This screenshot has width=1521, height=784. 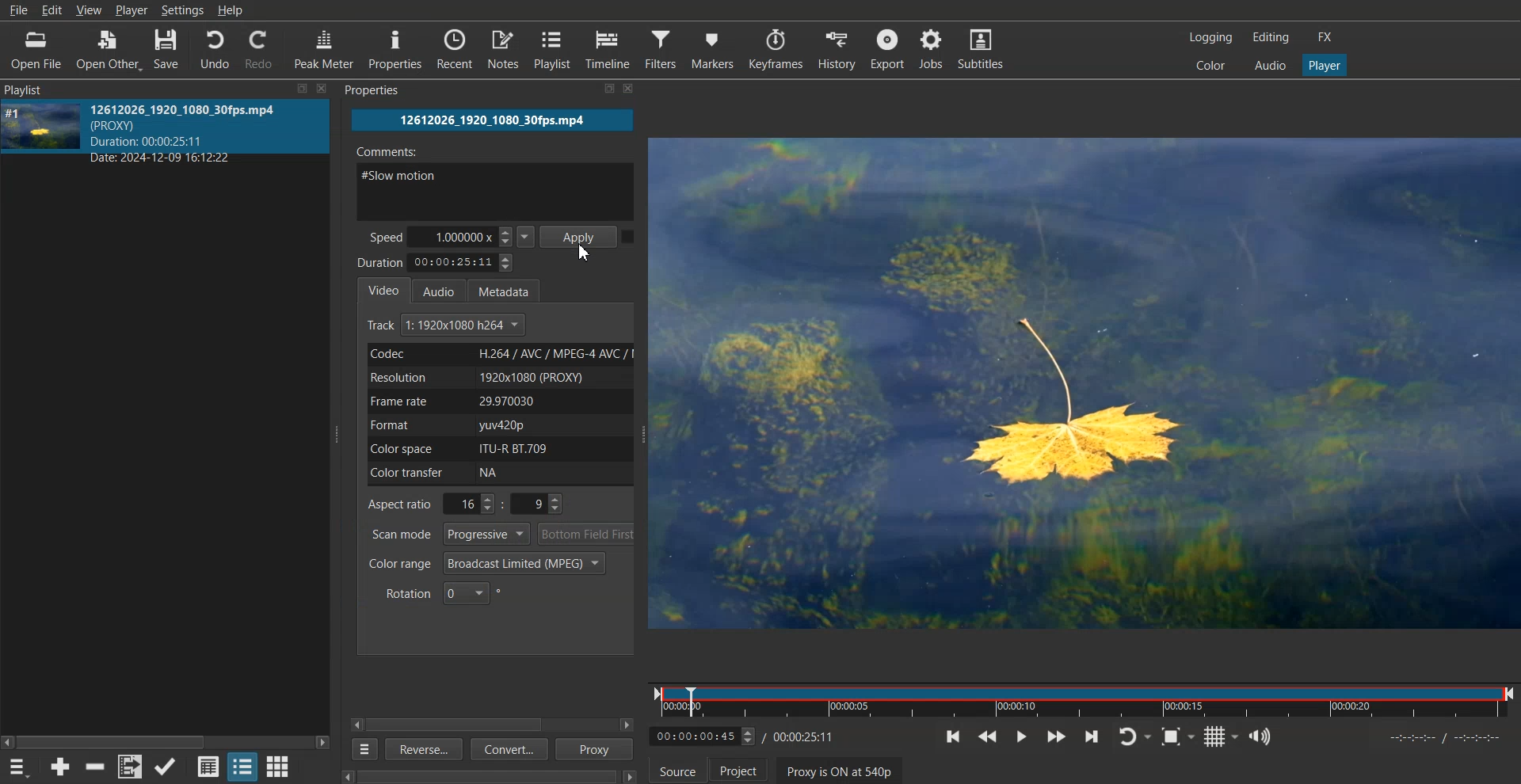 I want to click on Save, so click(x=167, y=48).